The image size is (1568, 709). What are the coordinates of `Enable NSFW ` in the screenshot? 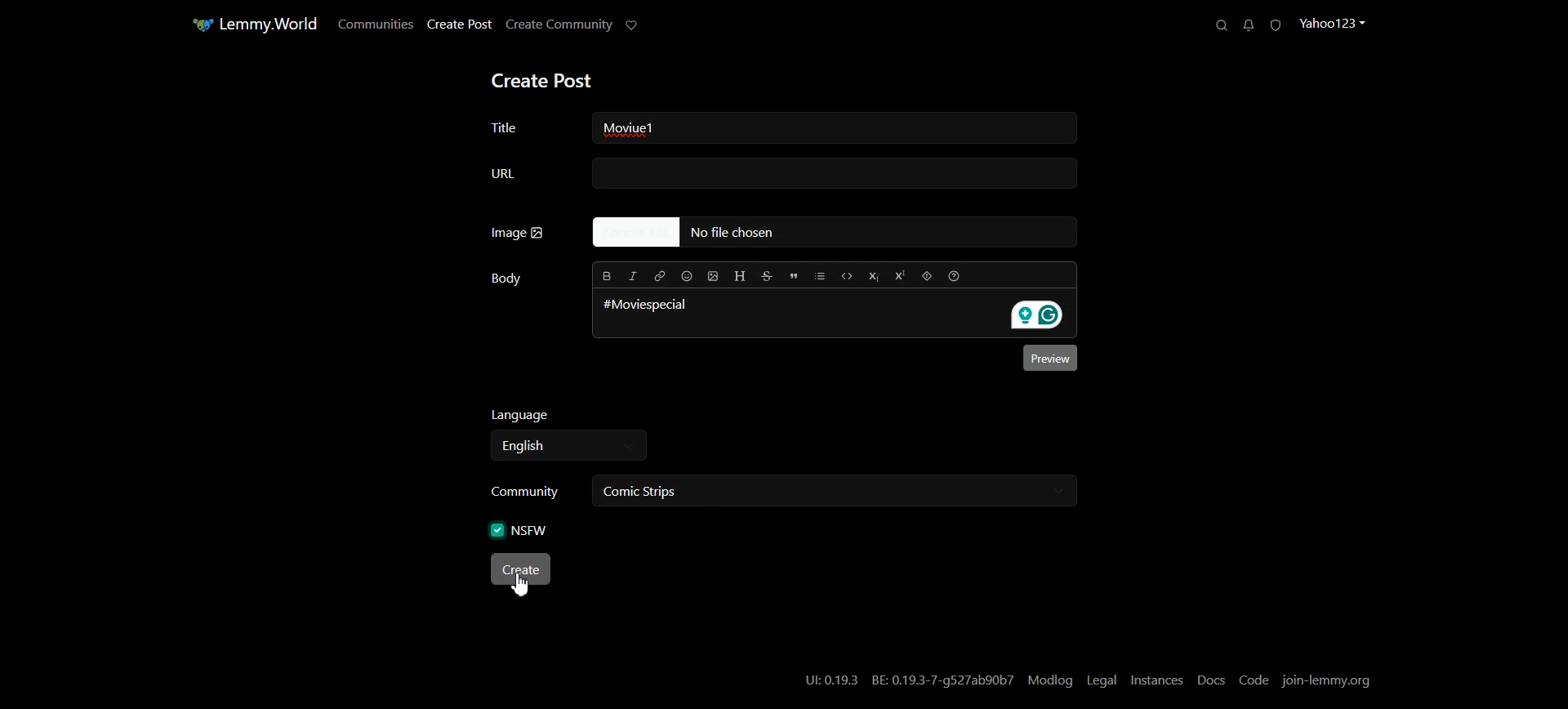 It's located at (521, 528).